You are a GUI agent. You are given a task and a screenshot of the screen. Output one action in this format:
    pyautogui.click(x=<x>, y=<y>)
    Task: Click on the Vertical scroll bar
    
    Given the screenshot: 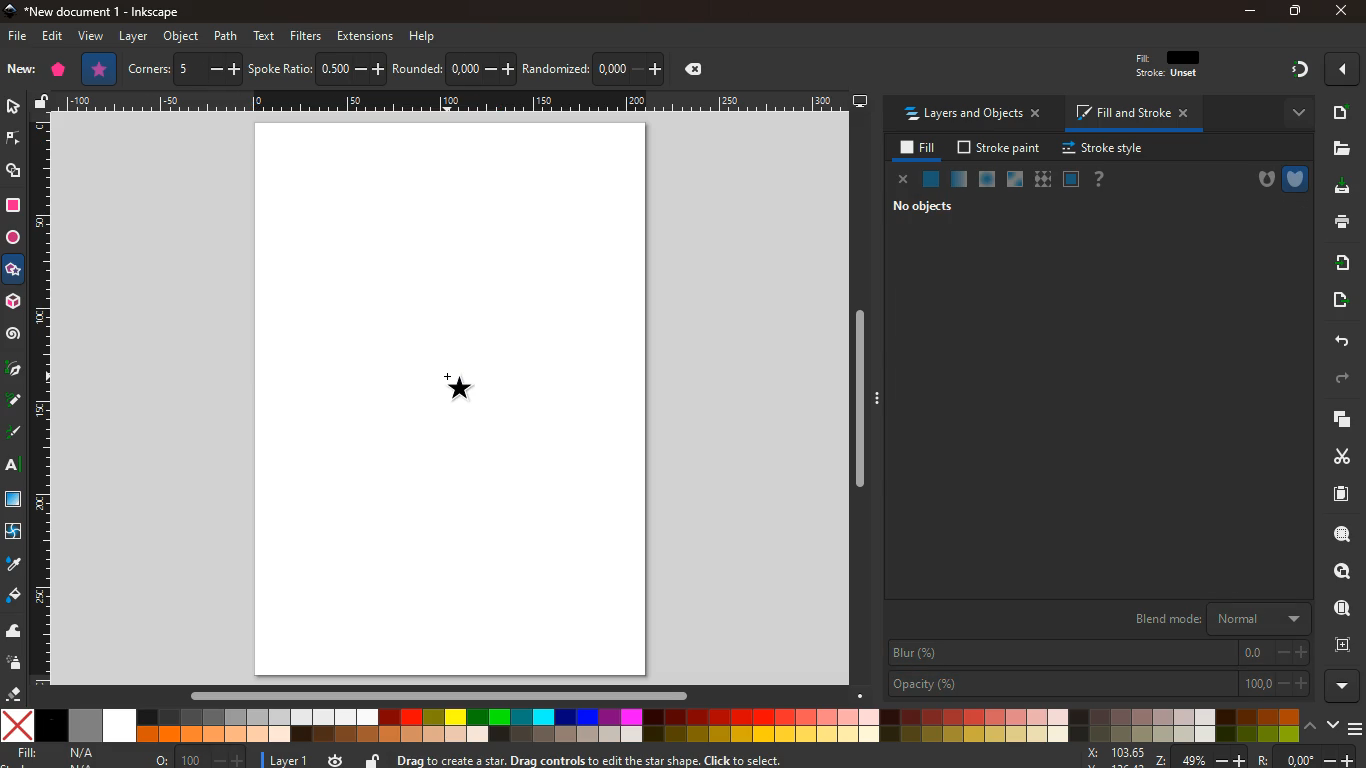 What is the action you would take?
    pyautogui.click(x=863, y=402)
    